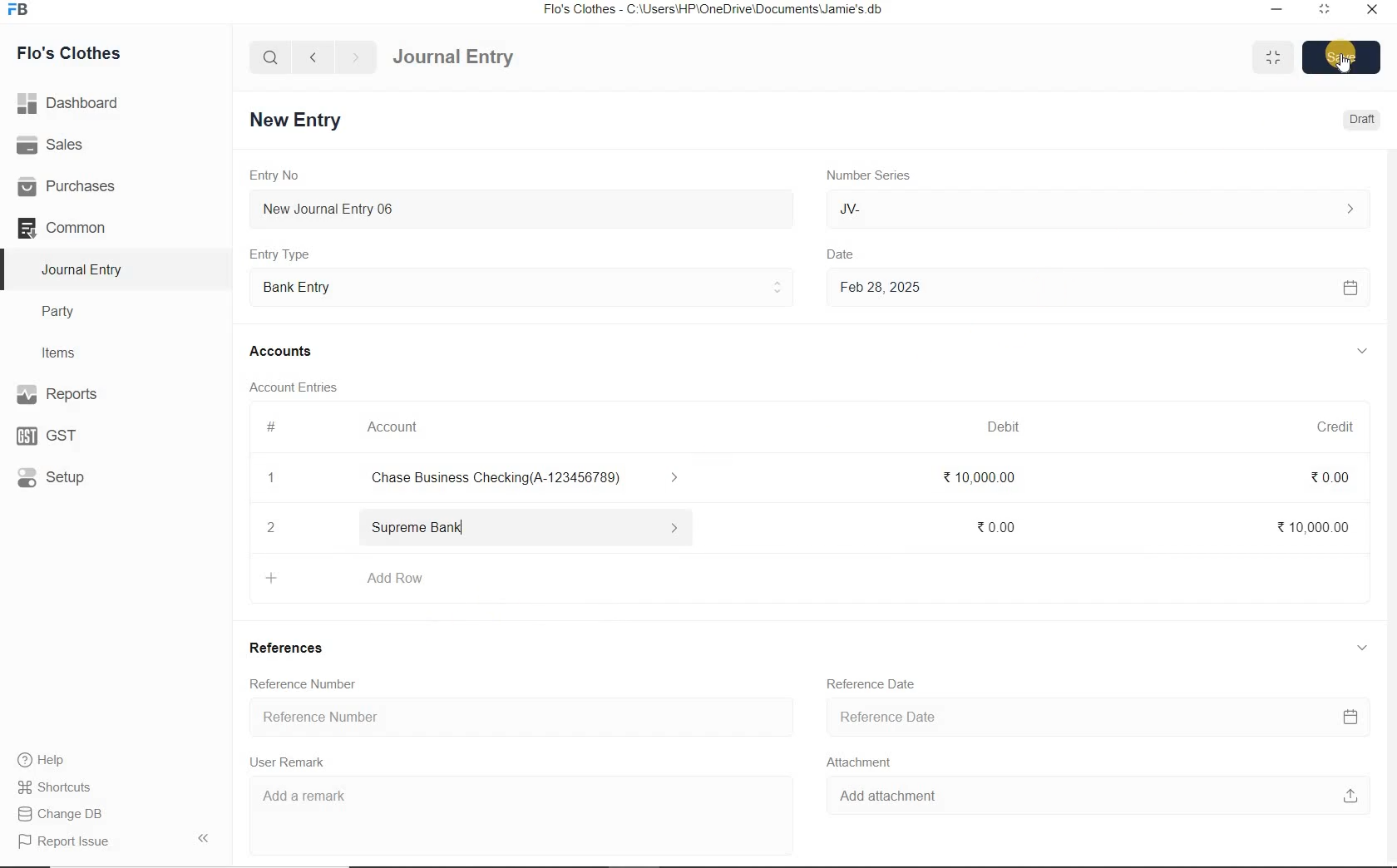 The width and height of the screenshot is (1397, 868). Describe the element at coordinates (55, 784) in the screenshot. I see `Shortcuts` at that location.